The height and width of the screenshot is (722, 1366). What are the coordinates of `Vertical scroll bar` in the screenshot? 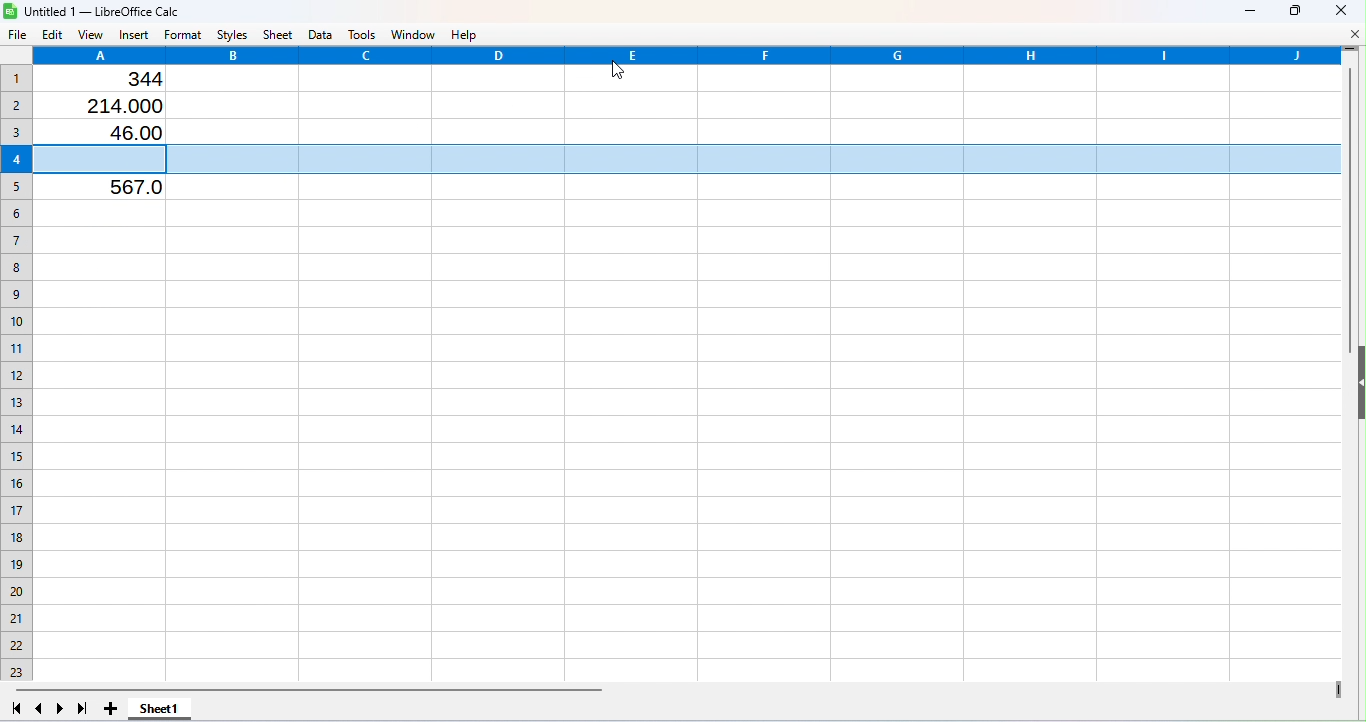 It's located at (1349, 368).